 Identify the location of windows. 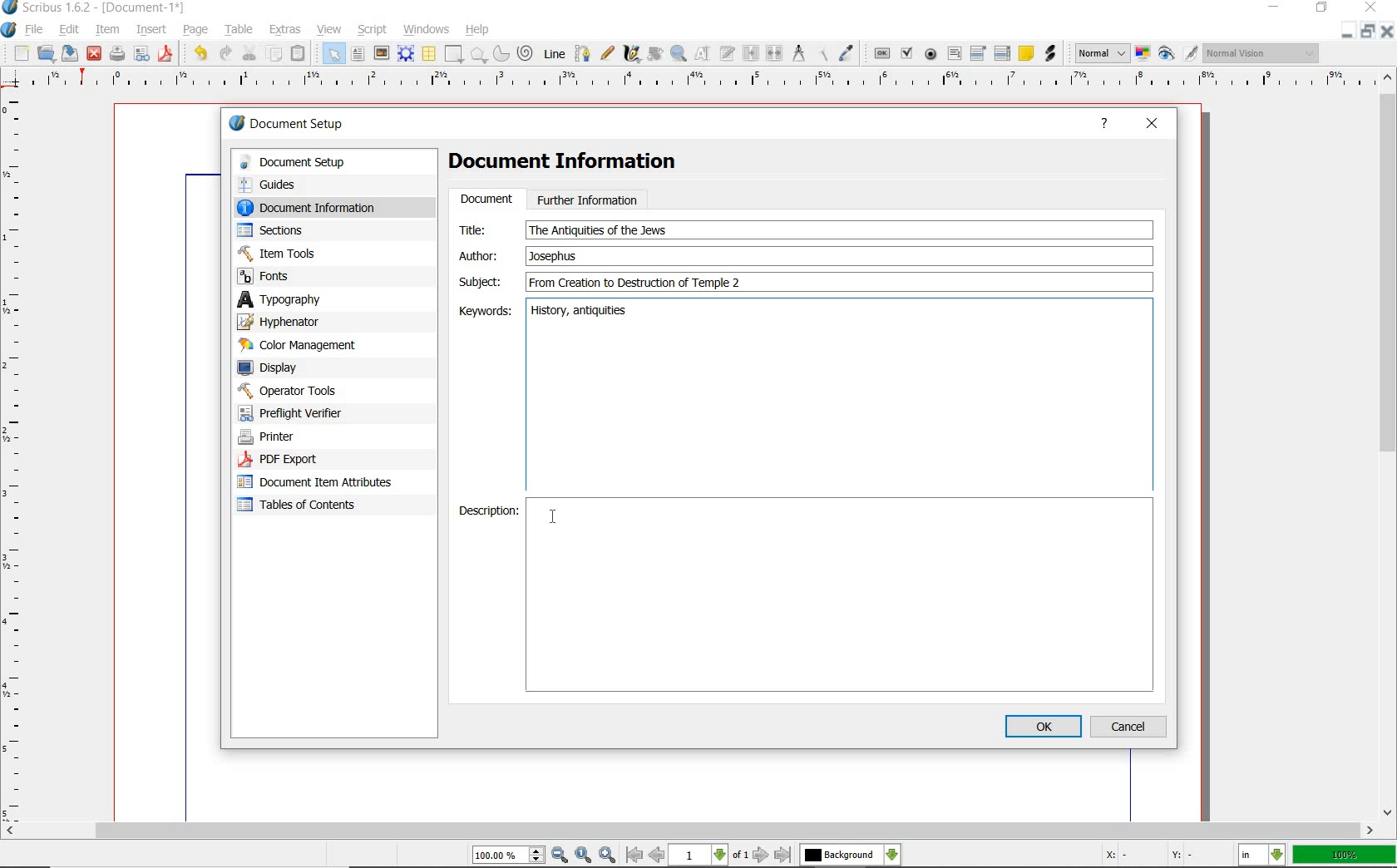
(427, 30).